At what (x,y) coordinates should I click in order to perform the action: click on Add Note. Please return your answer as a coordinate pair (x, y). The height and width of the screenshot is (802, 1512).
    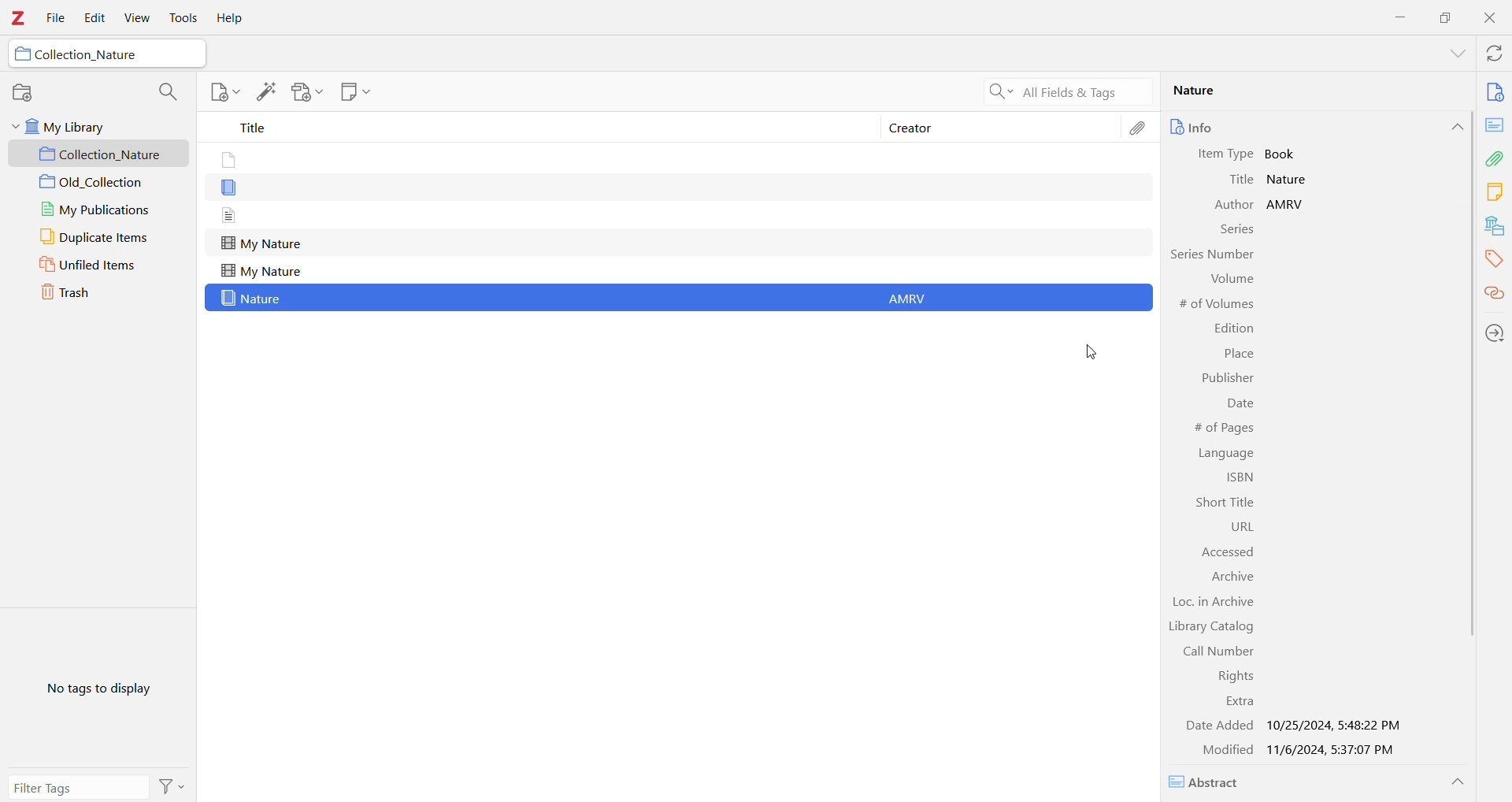
    Looking at the image, I should click on (224, 91).